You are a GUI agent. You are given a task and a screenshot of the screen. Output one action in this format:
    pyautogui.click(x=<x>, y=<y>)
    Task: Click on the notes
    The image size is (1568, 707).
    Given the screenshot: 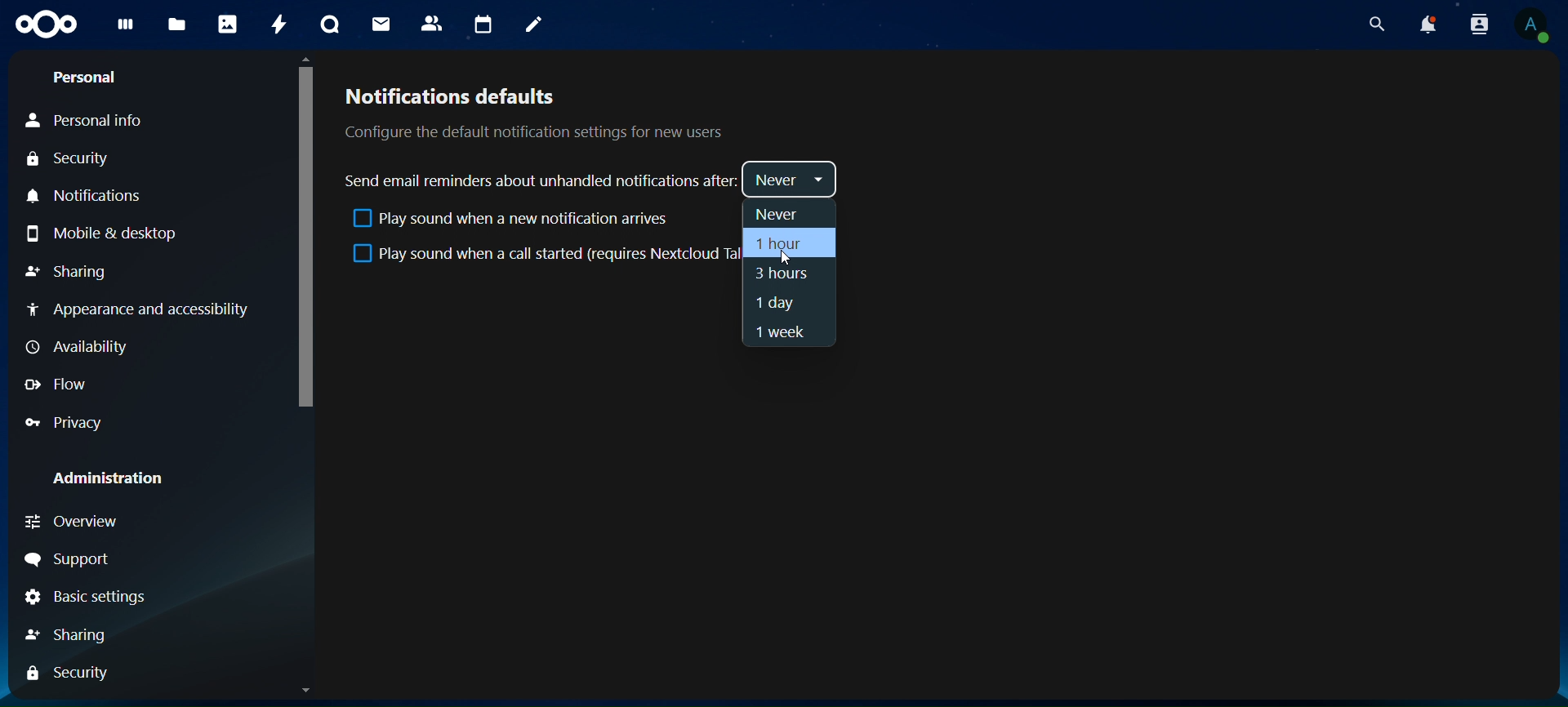 What is the action you would take?
    pyautogui.click(x=534, y=25)
    